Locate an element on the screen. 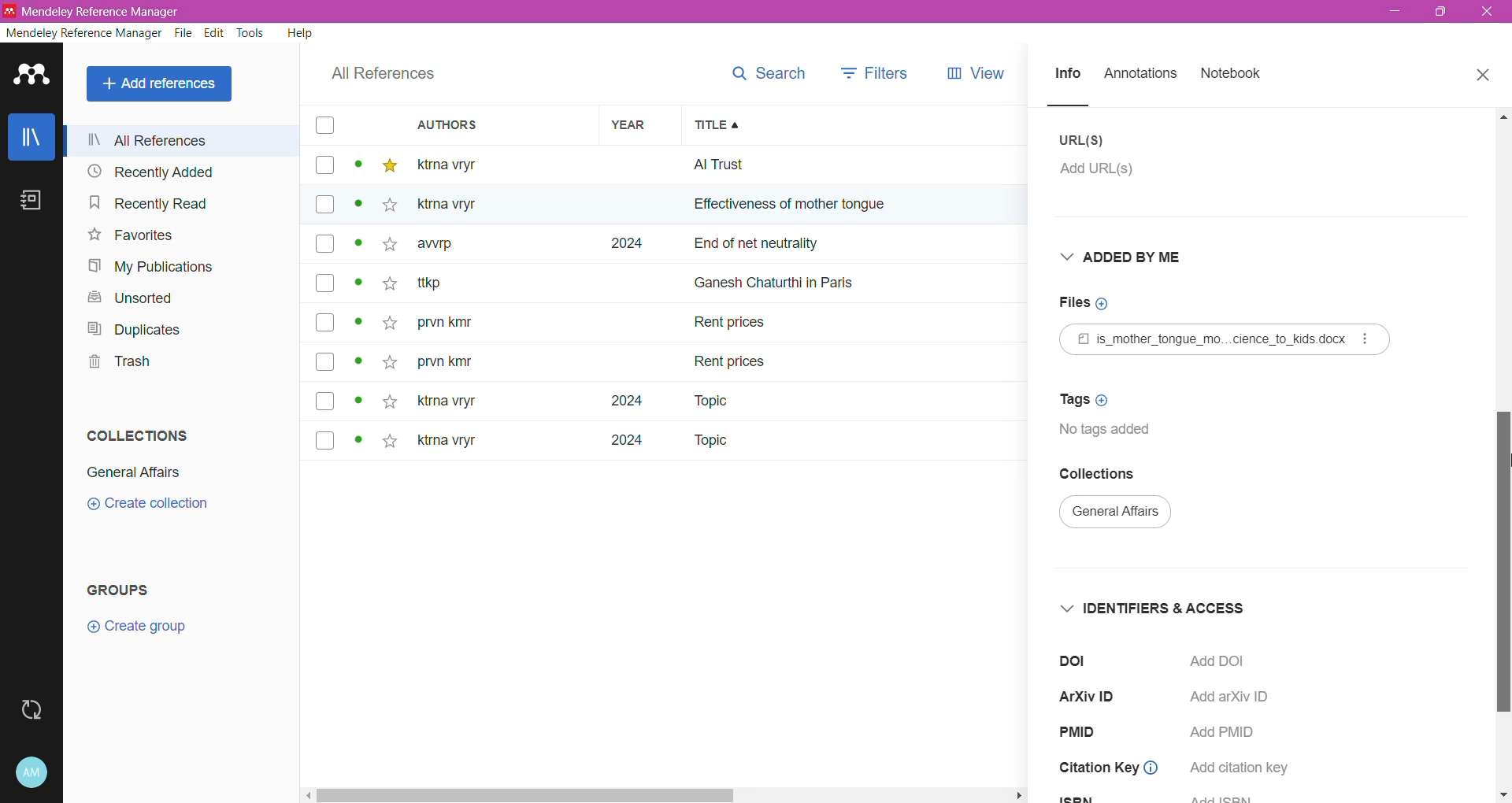 This screenshot has width=1512, height=803. Groups is located at coordinates (121, 590).